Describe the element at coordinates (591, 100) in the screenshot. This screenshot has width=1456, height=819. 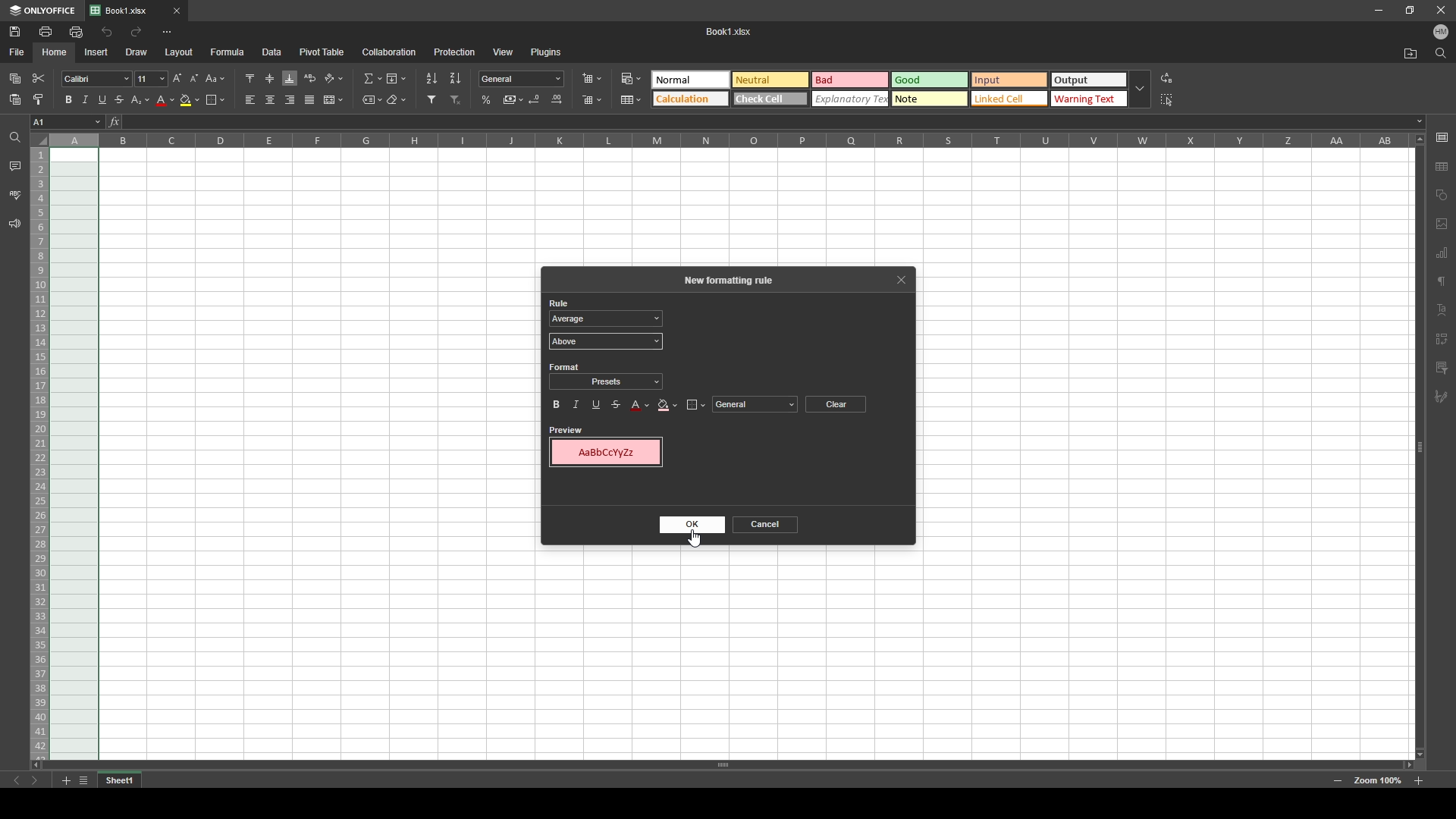
I see `delete cells` at that location.